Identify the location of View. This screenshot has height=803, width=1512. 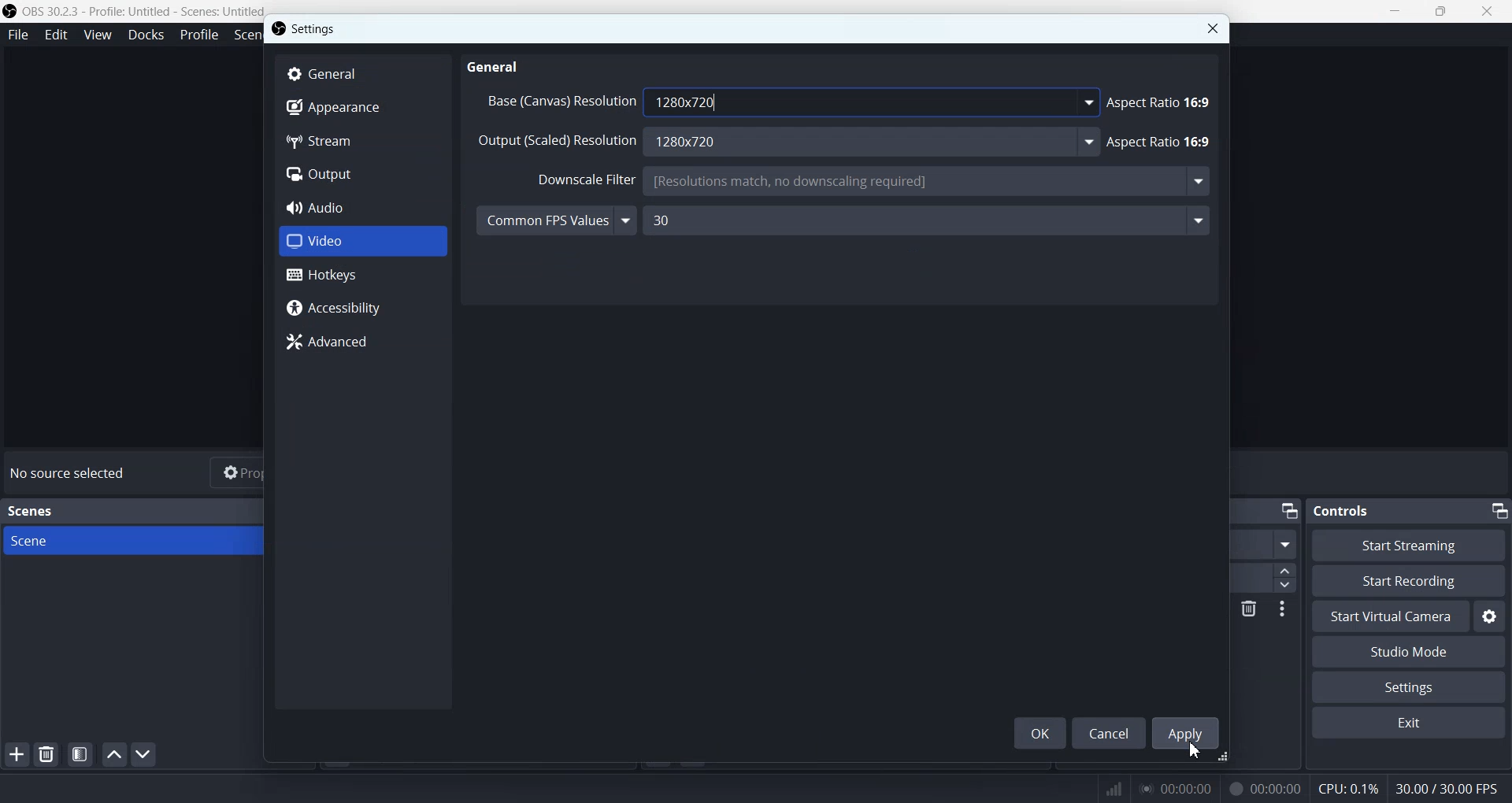
(97, 35).